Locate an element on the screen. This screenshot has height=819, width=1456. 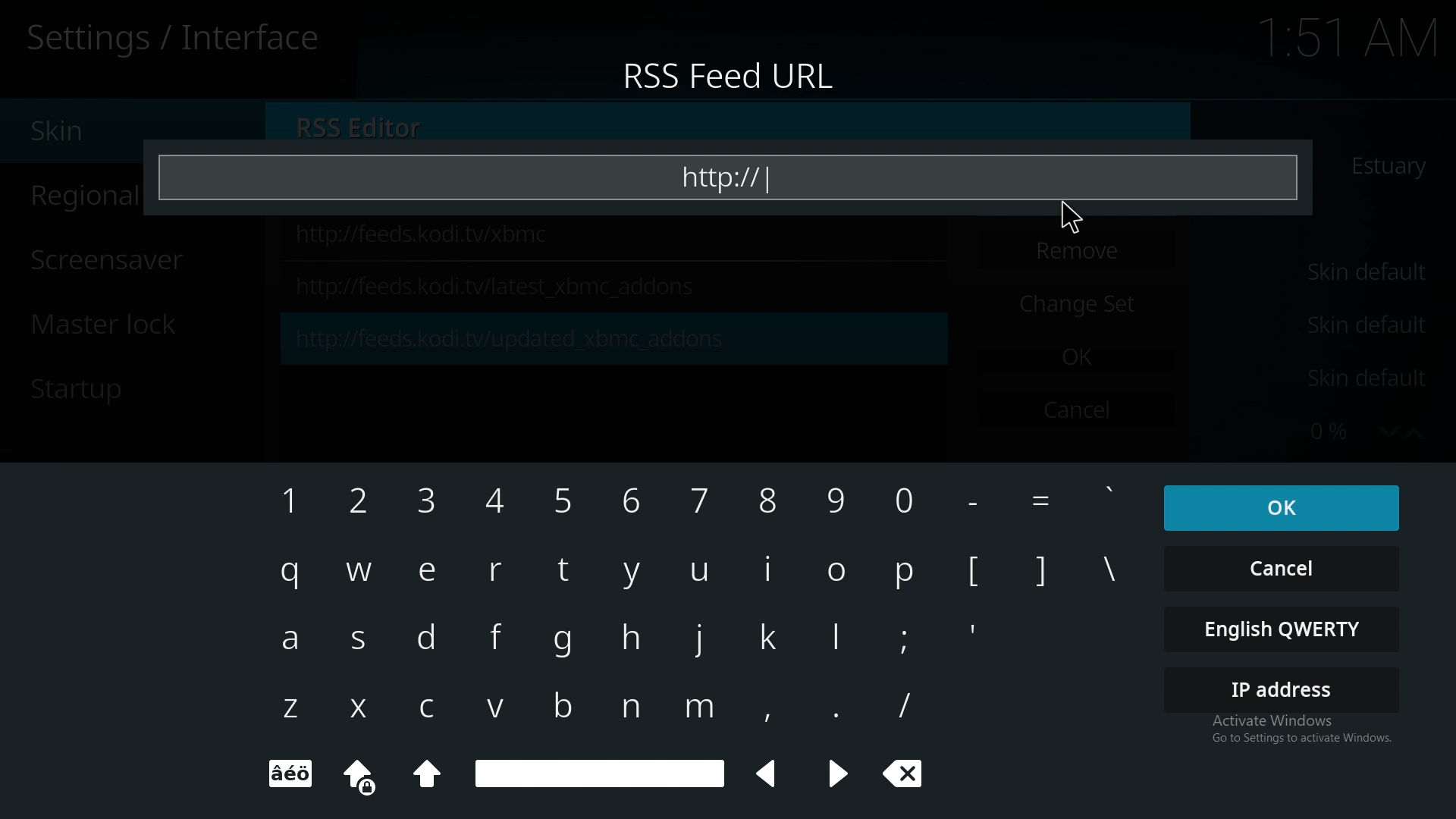
keyboard Input is located at coordinates (1108, 493).